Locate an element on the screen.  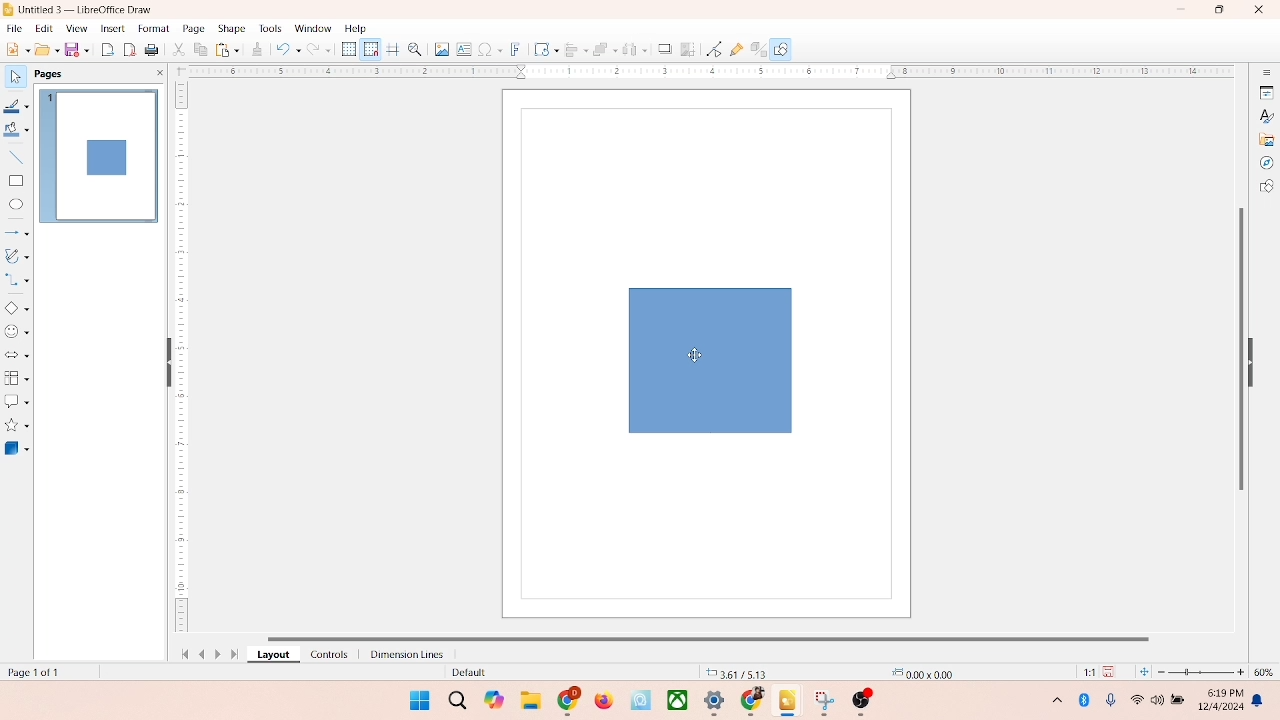
open is located at coordinates (45, 49).